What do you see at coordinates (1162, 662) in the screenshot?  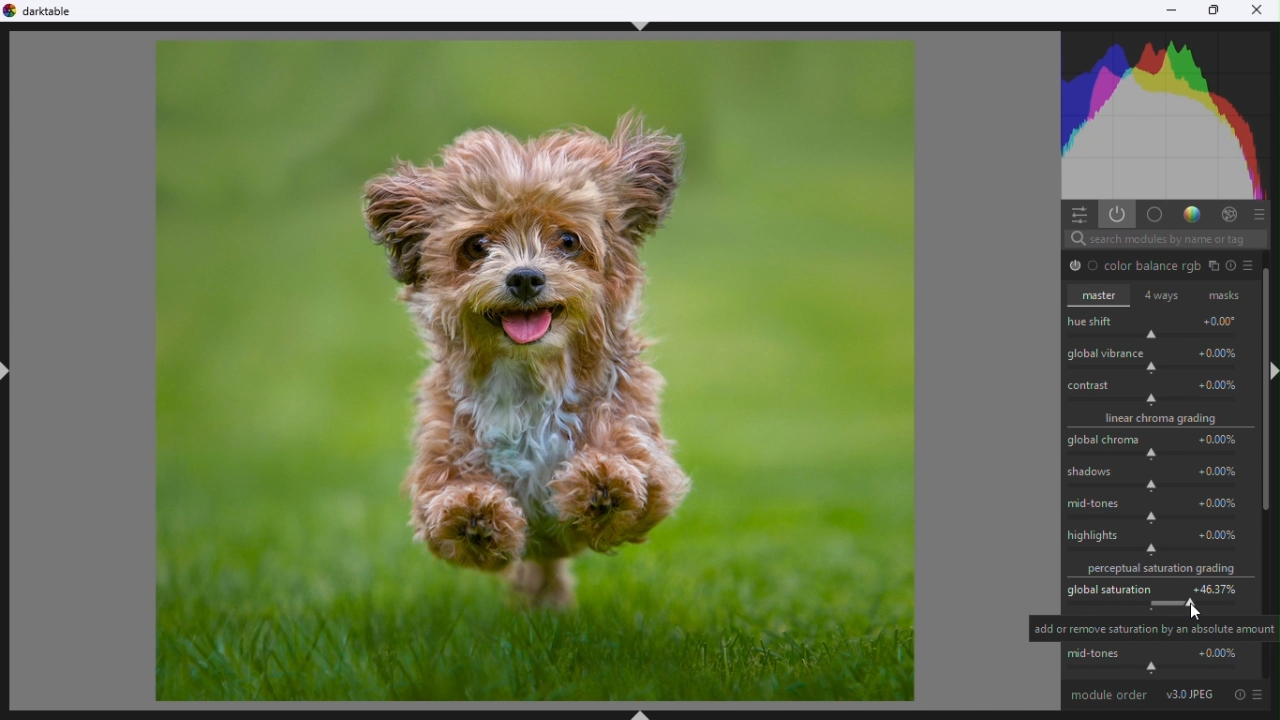 I see `Mid tones` at bounding box center [1162, 662].